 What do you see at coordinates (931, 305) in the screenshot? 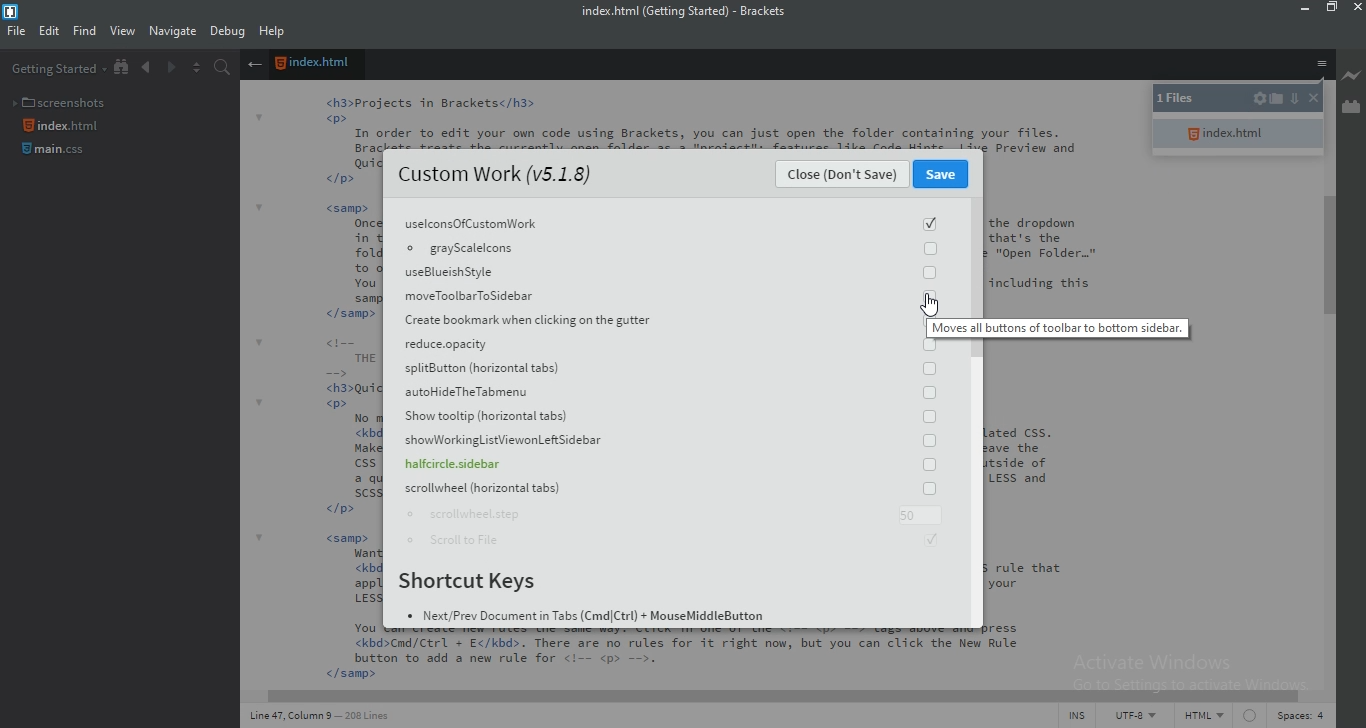
I see `cursor on moveToolbarSidebar` at bounding box center [931, 305].